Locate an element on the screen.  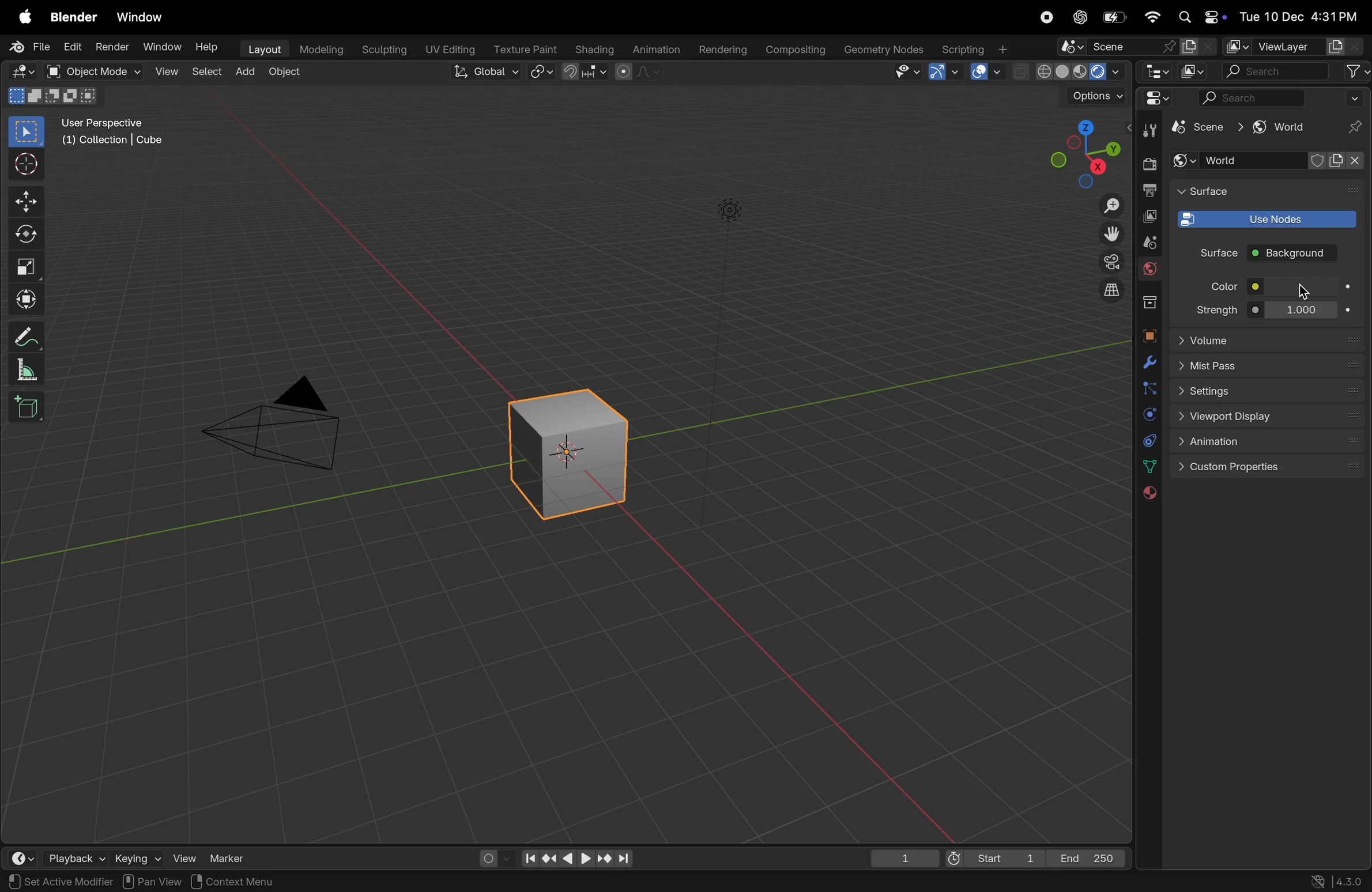
constraints is located at coordinates (1148, 440).